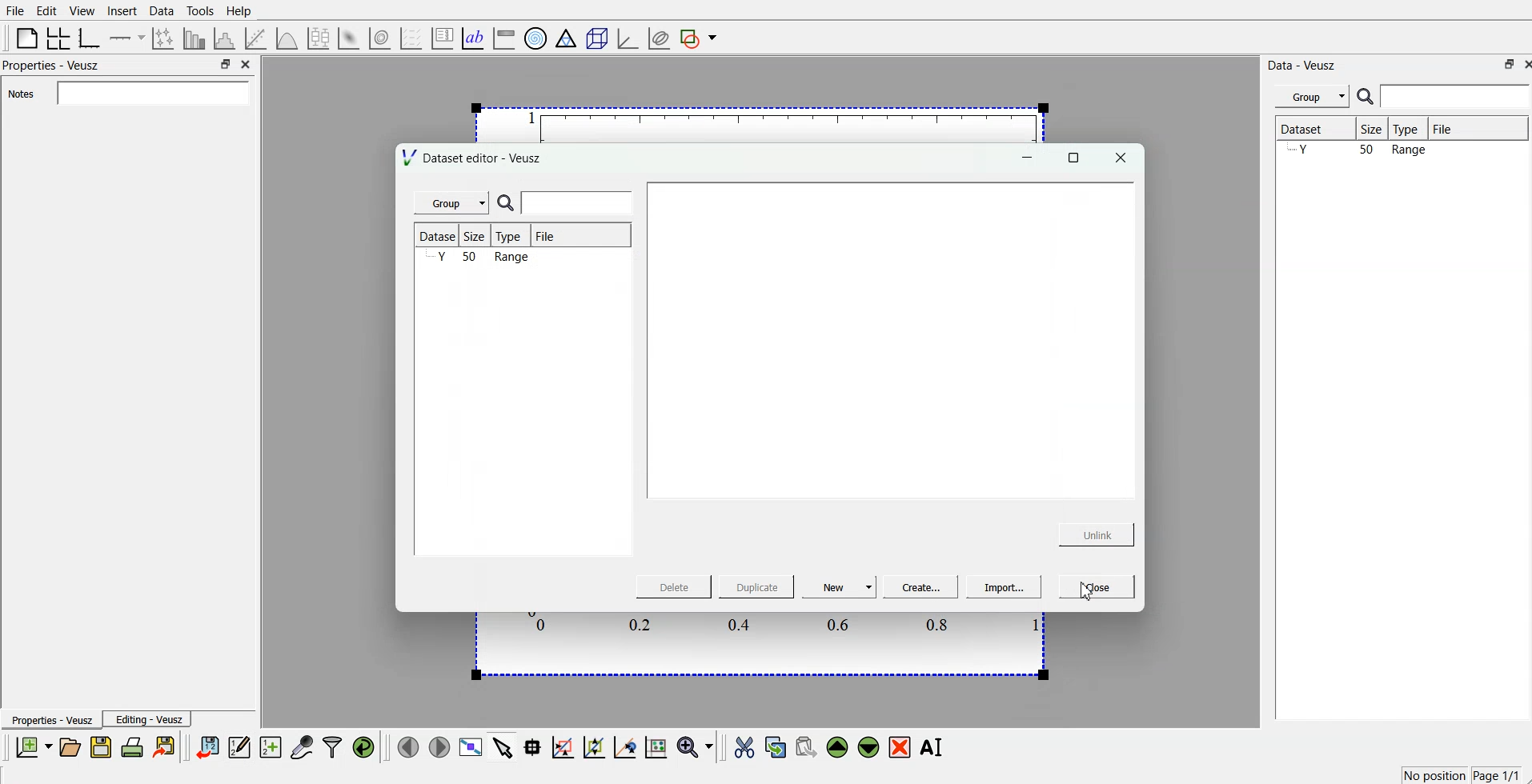 The width and height of the screenshot is (1532, 784). What do you see at coordinates (195, 37) in the screenshot?
I see `bar chart` at bounding box center [195, 37].